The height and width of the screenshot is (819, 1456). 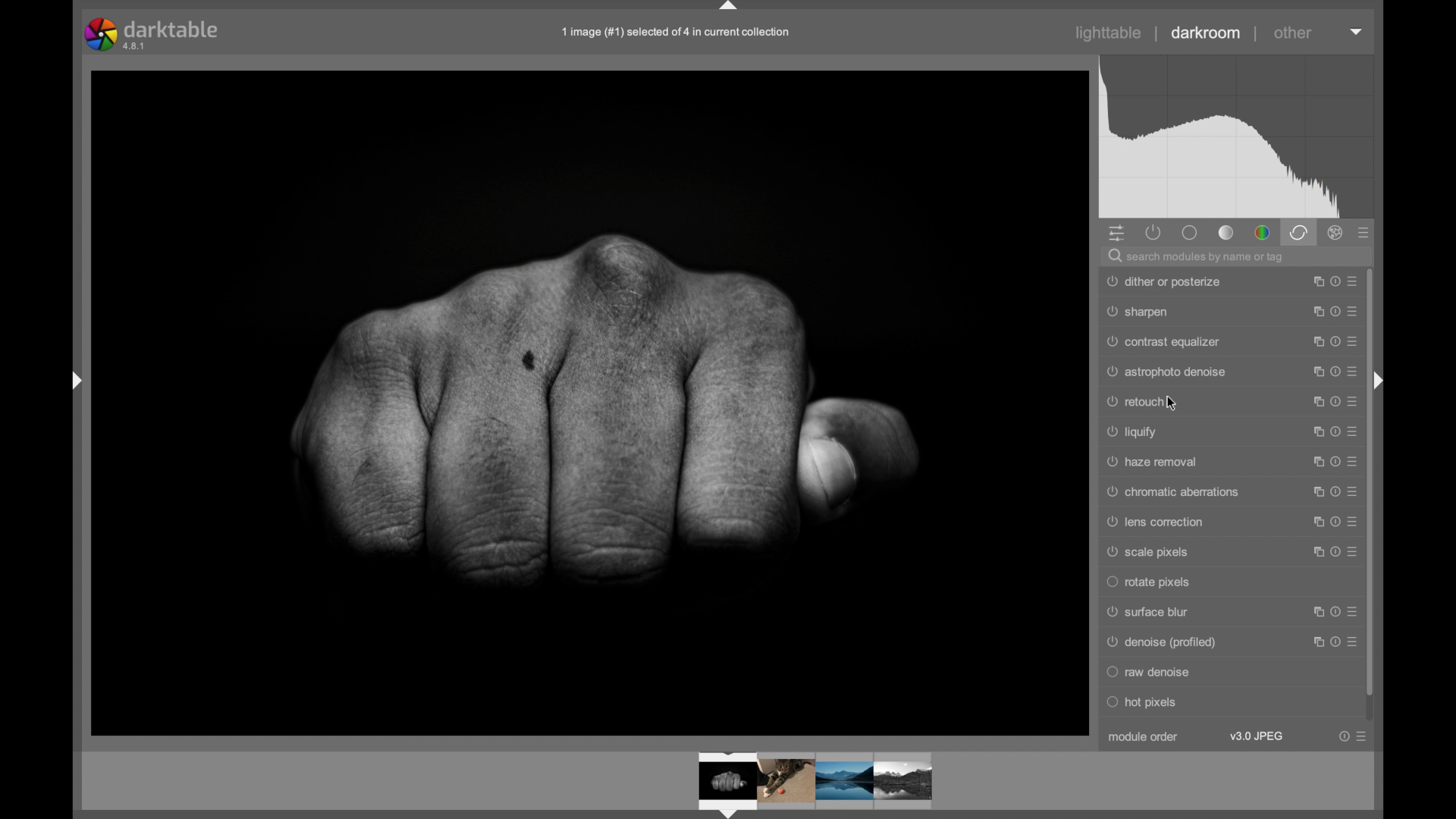 I want to click on more options, so click(x=1351, y=314).